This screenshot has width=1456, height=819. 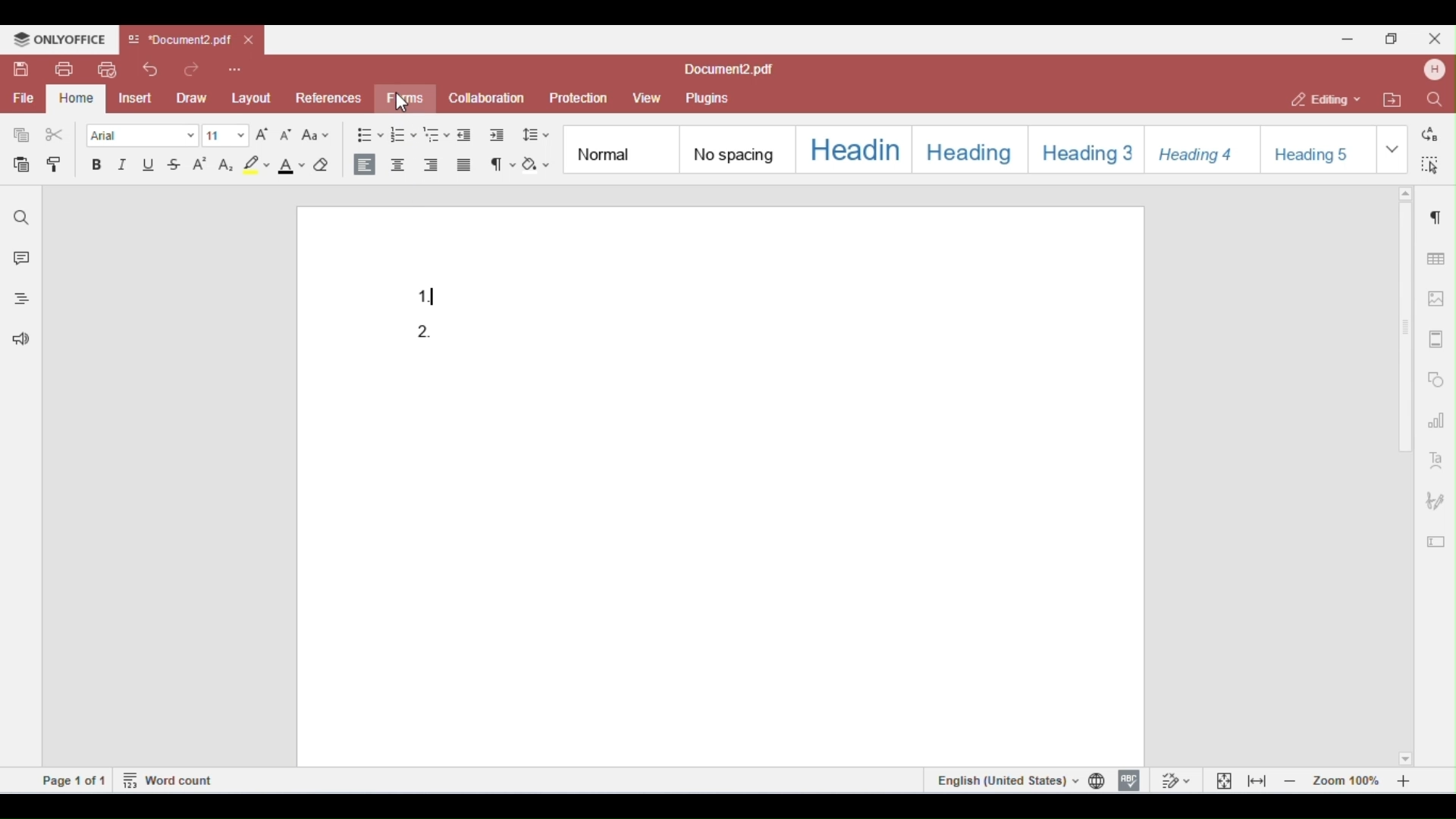 What do you see at coordinates (22, 218) in the screenshot?
I see `find` at bounding box center [22, 218].